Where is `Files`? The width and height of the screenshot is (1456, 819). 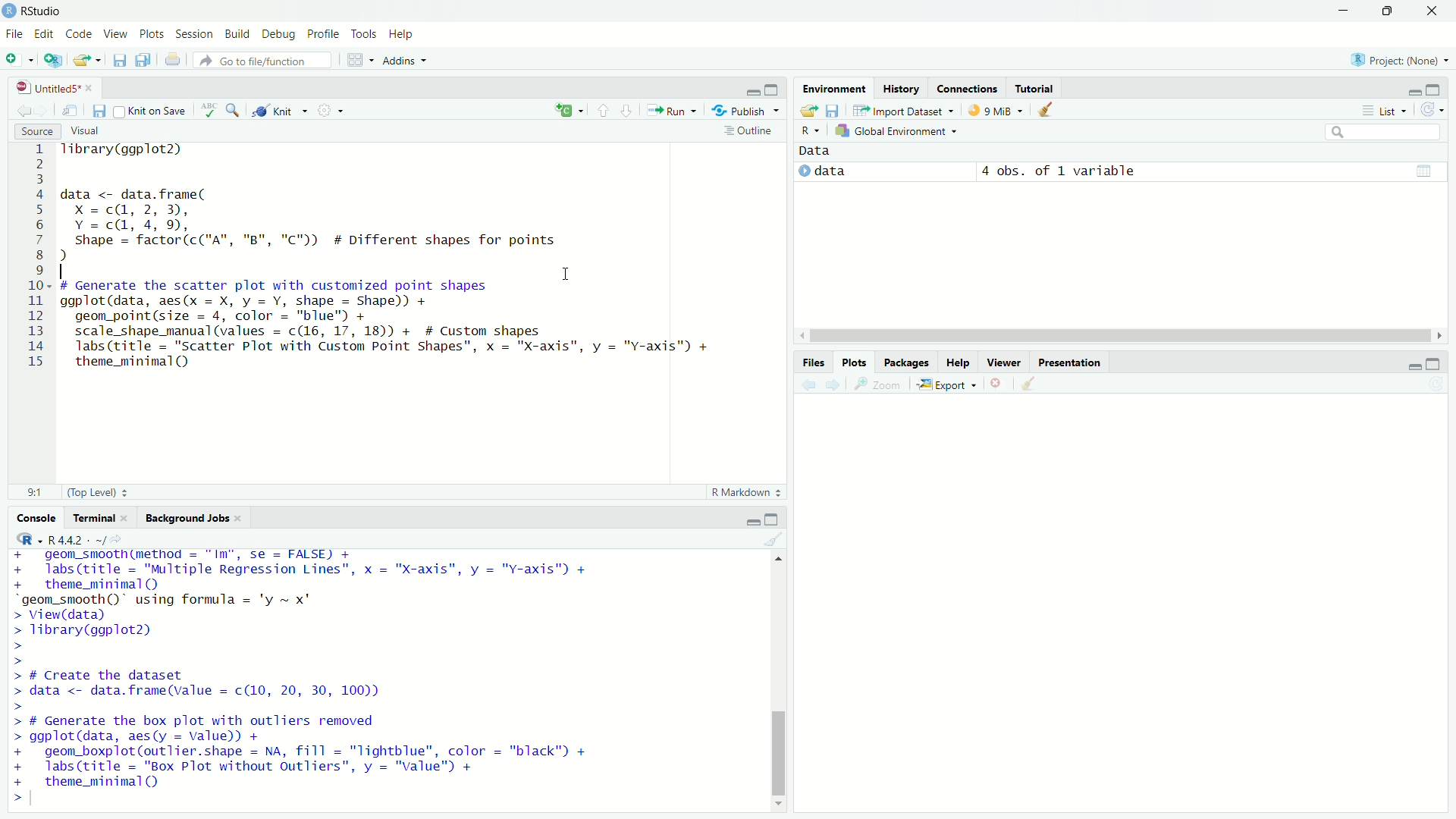 Files is located at coordinates (813, 362).